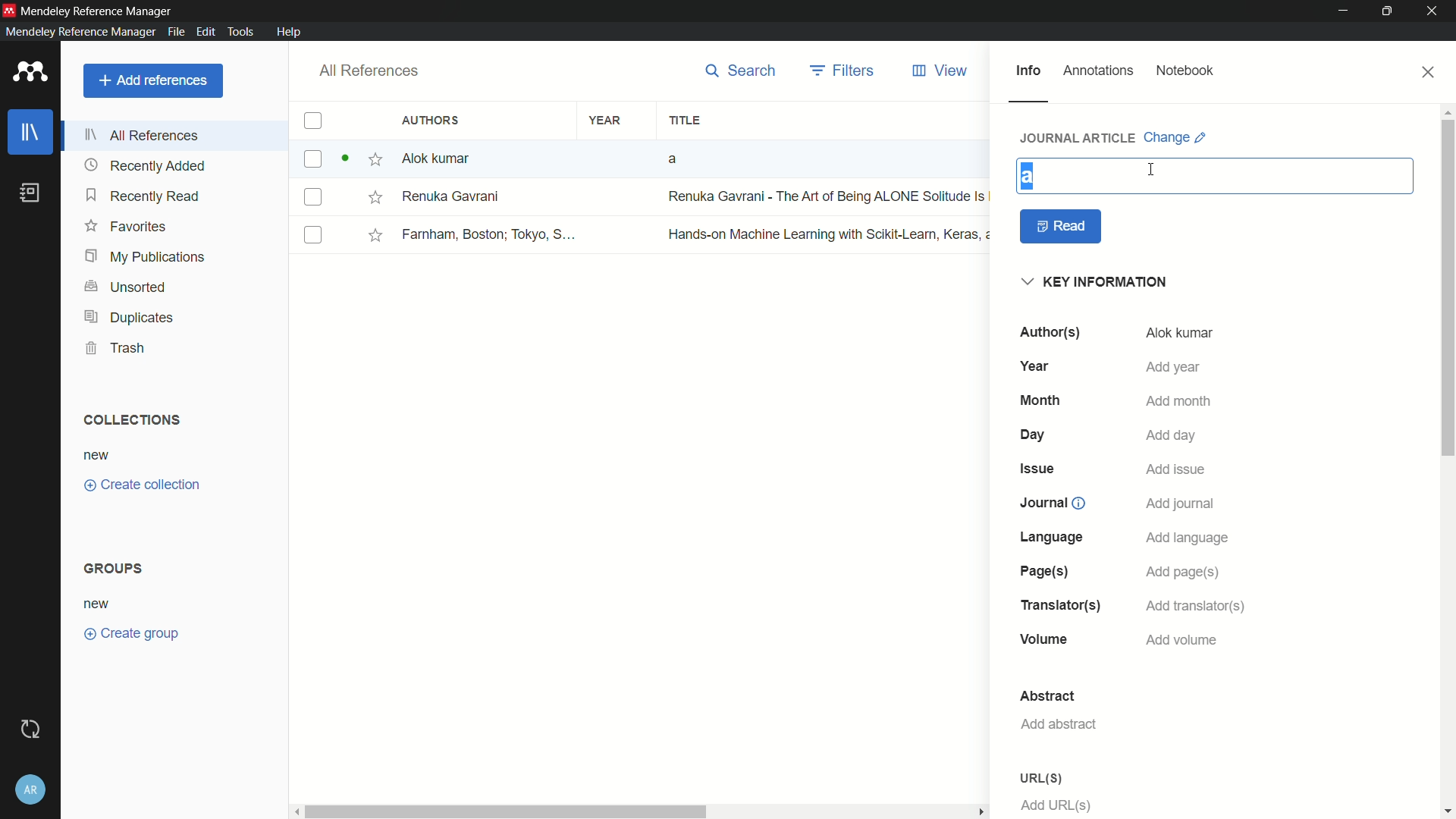 Image resolution: width=1456 pixels, height=819 pixels. I want to click on app icon, so click(30, 73).